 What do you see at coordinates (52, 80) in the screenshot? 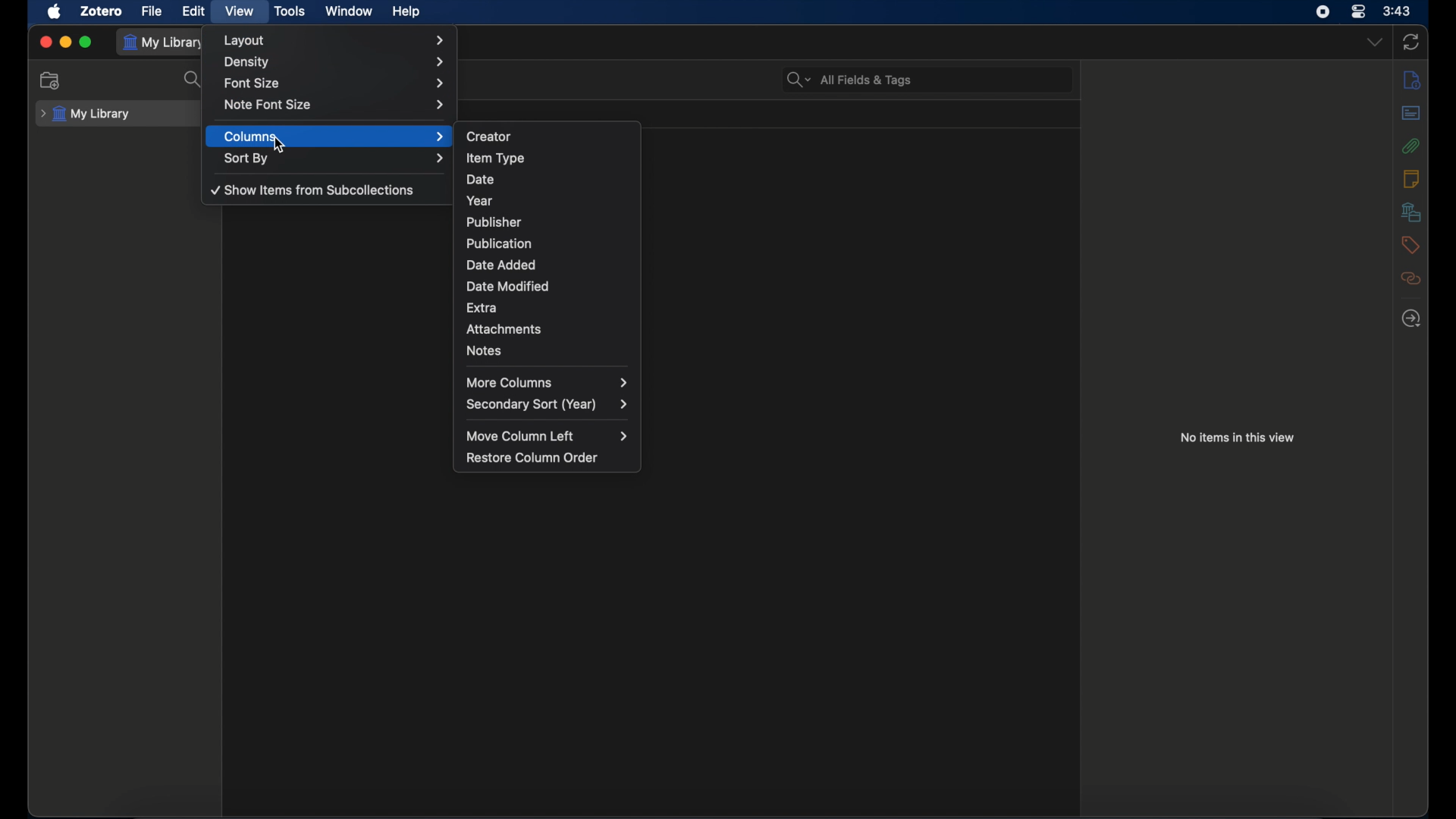
I see `new collection` at bounding box center [52, 80].